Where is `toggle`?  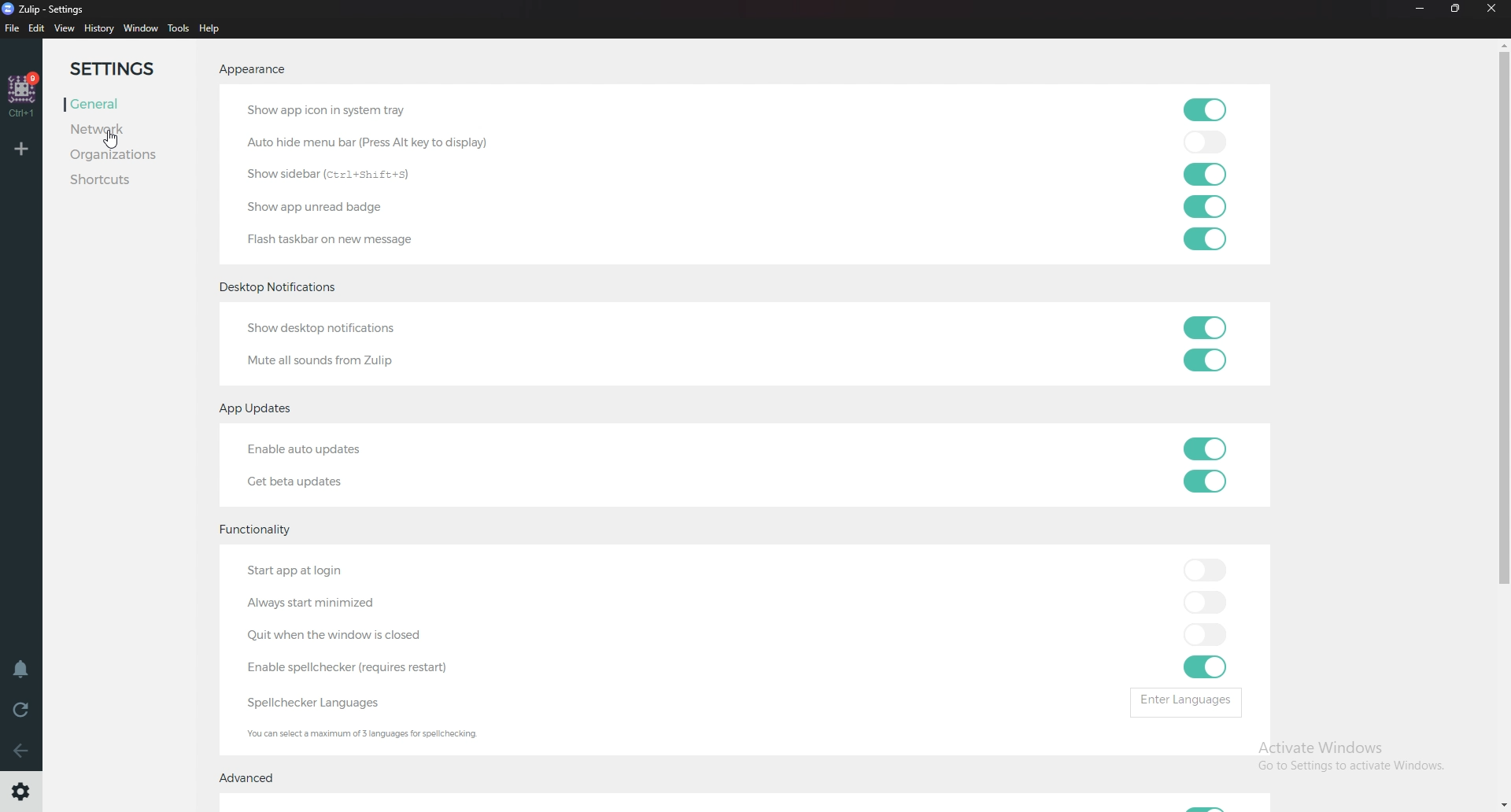
toggle is located at coordinates (1203, 360).